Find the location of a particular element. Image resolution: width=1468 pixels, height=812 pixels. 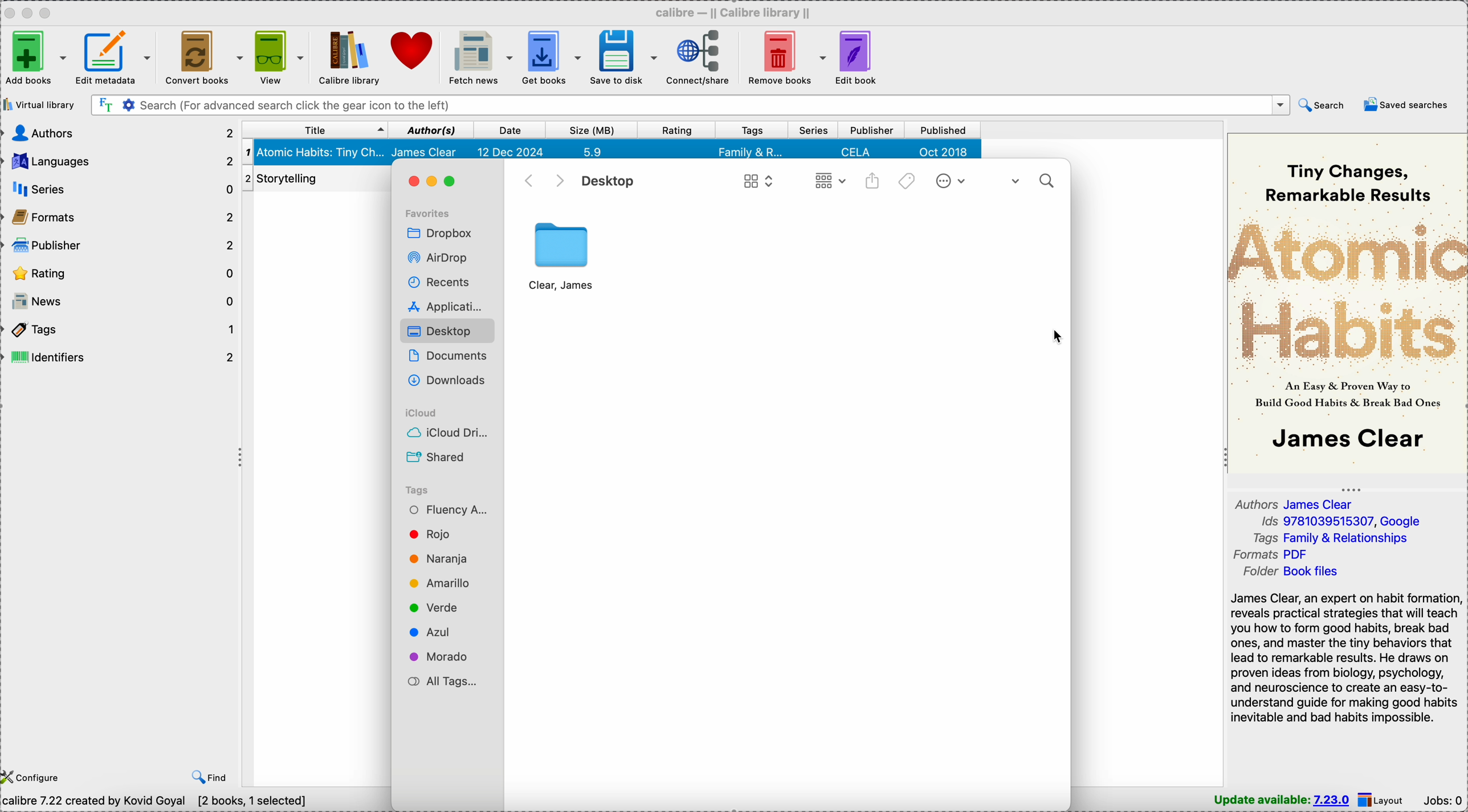

view is located at coordinates (278, 56).